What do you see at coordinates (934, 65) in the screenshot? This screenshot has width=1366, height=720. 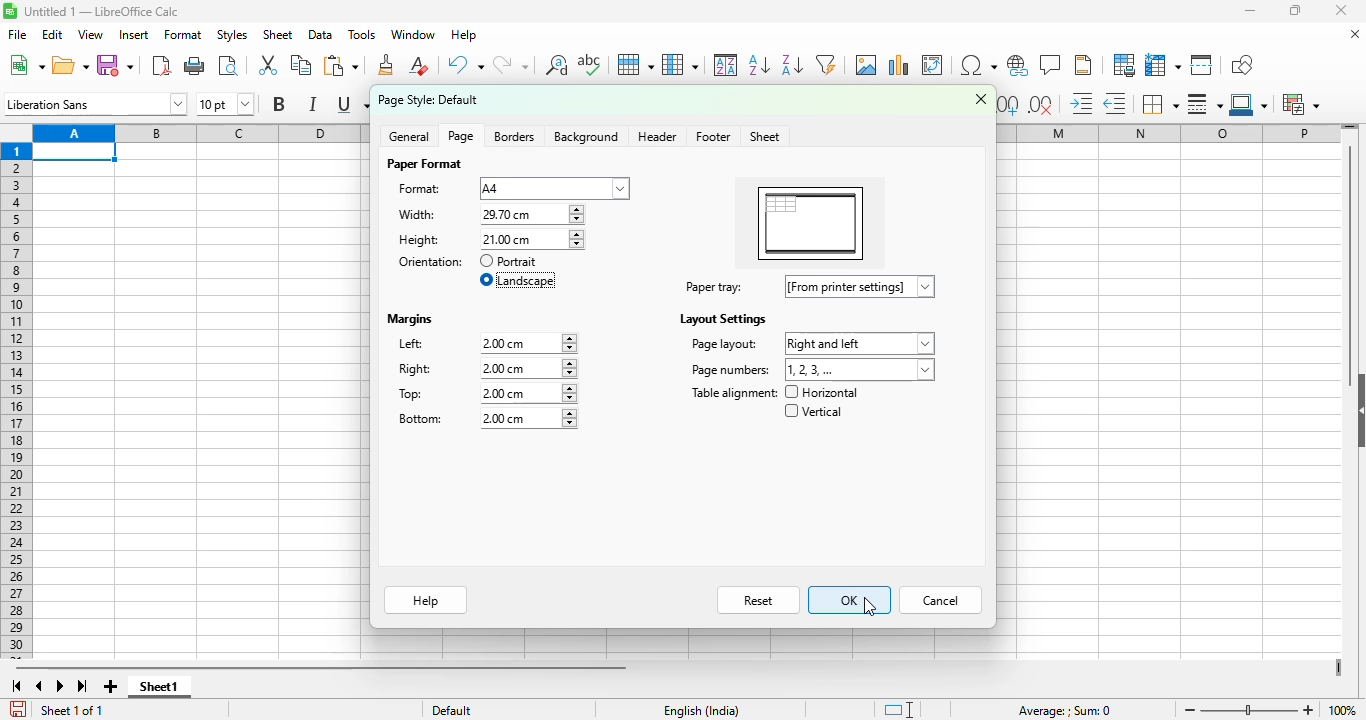 I see `insert or edit pivot table` at bounding box center [934, 65].